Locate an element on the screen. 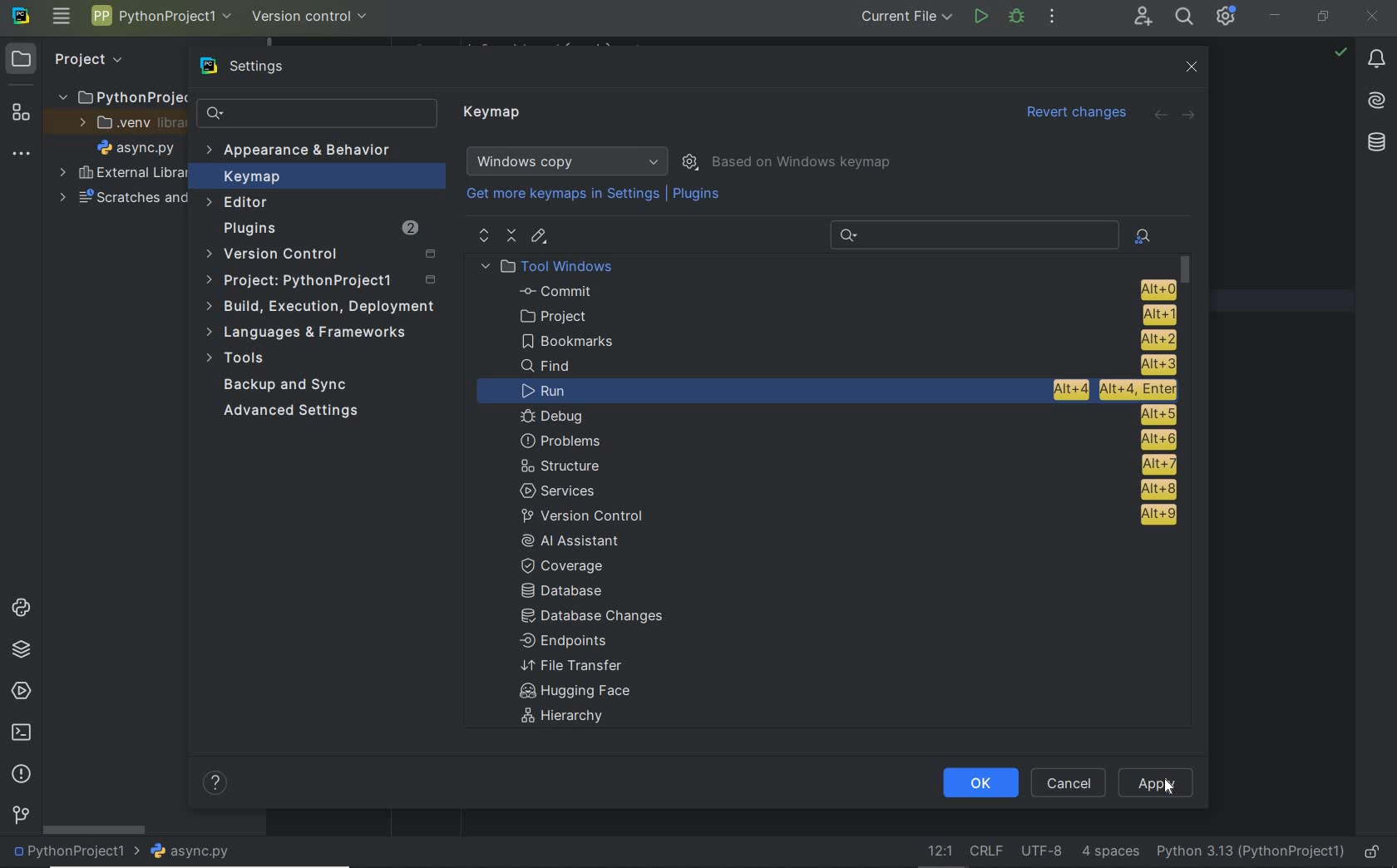 This screenshot has width=1397, height=868. help is located at coordinates (217, 785).